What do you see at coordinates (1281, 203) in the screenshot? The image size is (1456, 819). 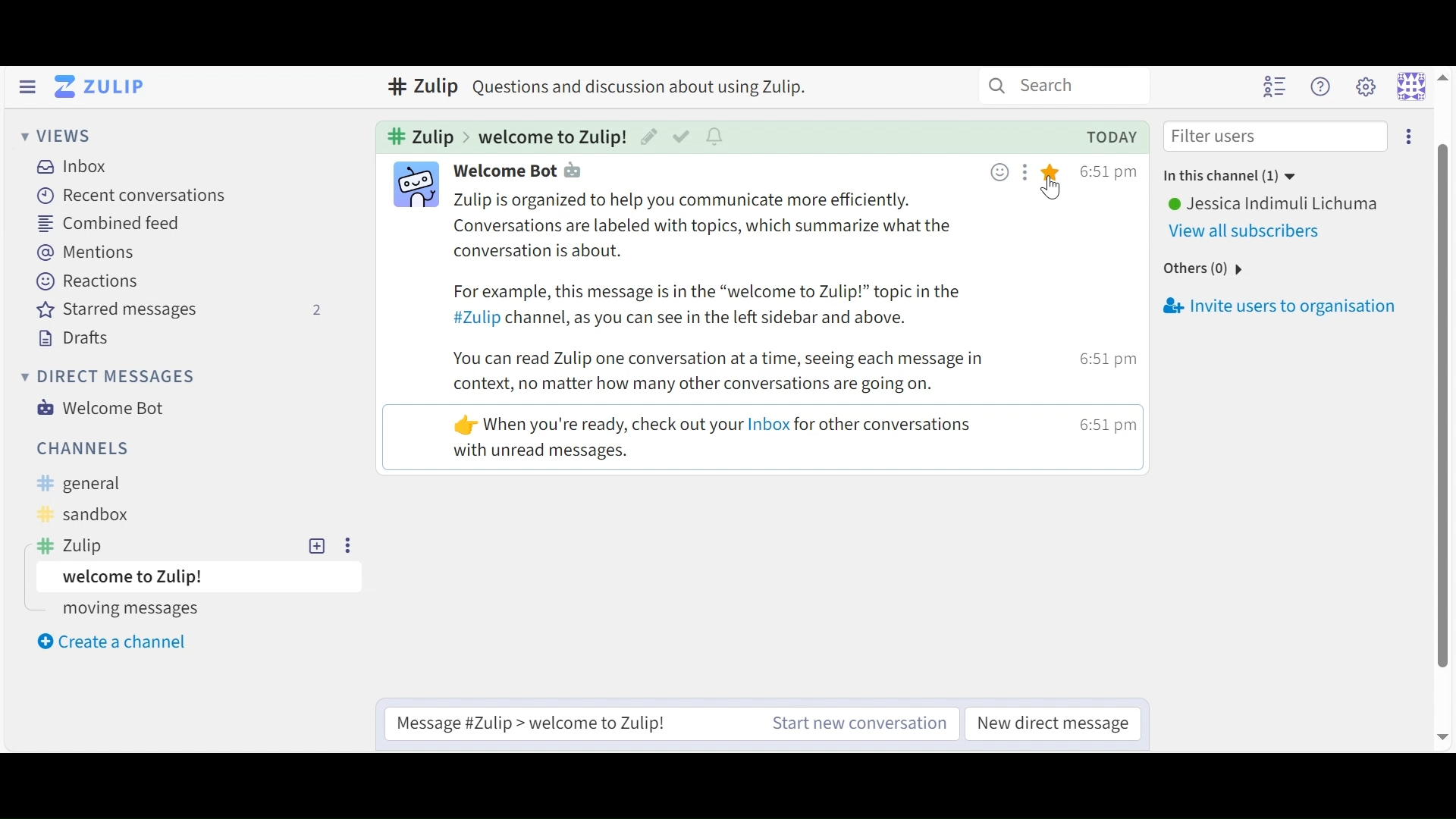 I see `User Name` at bounding box center [1281, 203].